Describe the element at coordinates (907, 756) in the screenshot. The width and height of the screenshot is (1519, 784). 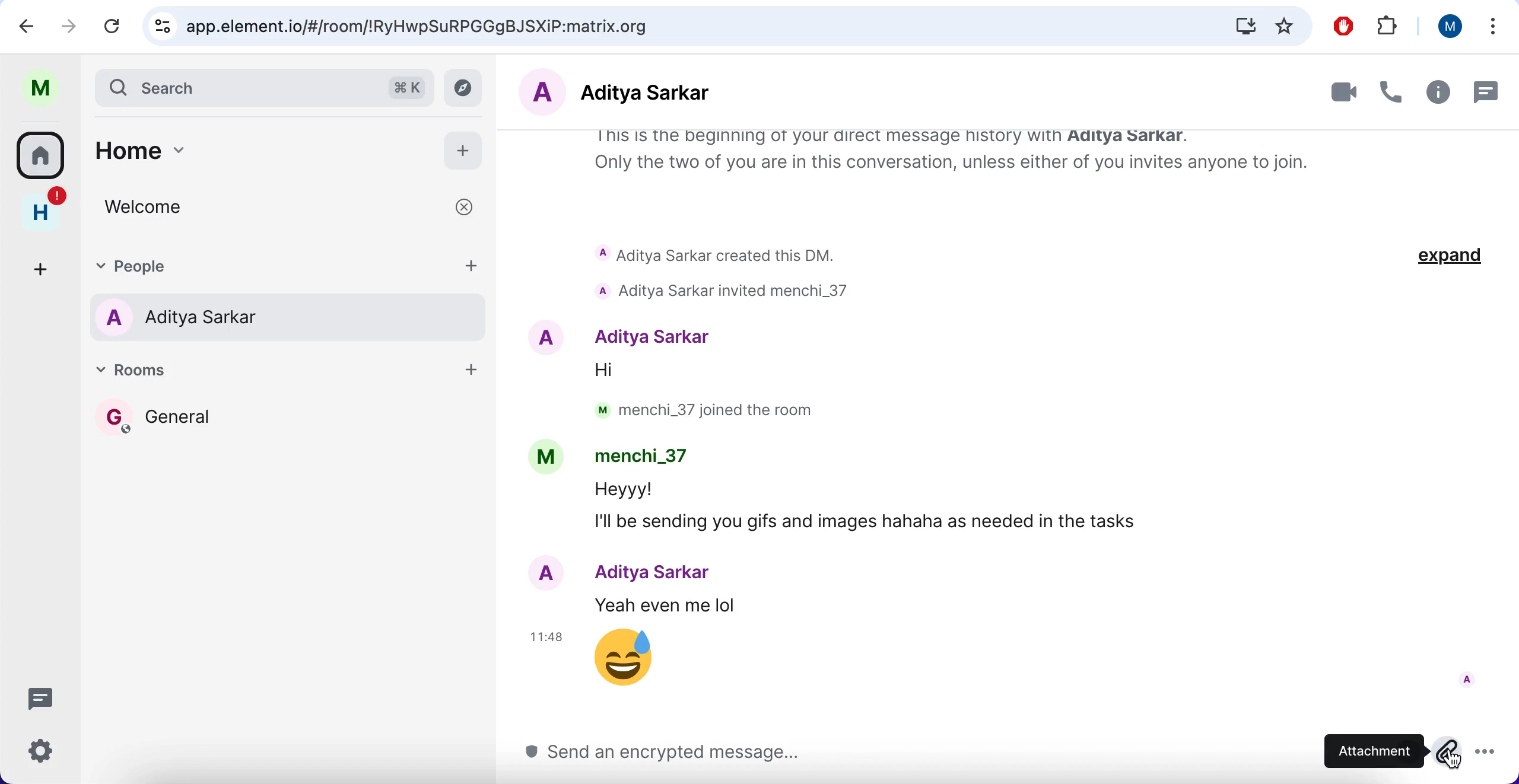
I see `send an encrypted message` at that location.